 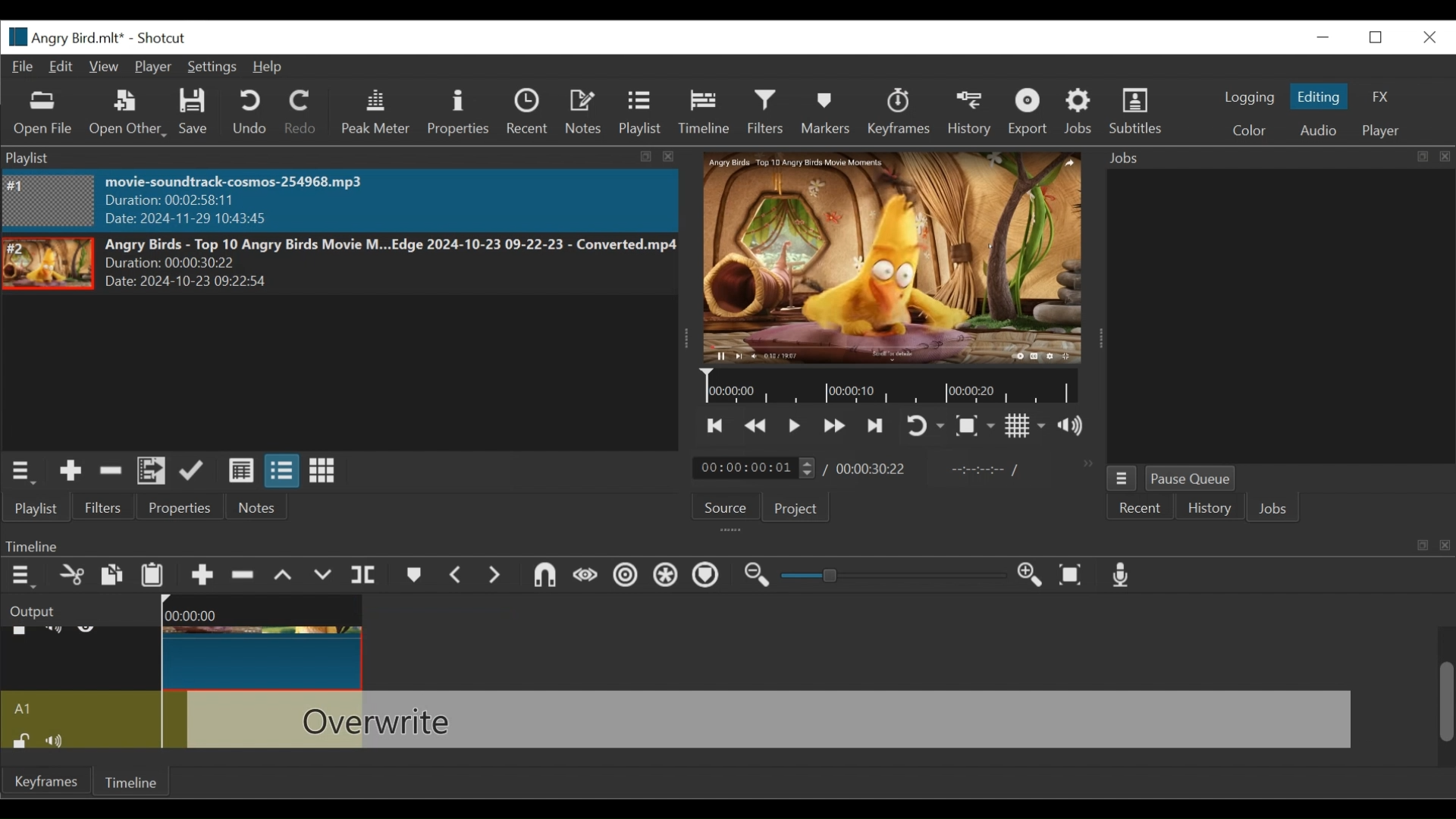 I want to click on Player, so click(x=151, y=67).